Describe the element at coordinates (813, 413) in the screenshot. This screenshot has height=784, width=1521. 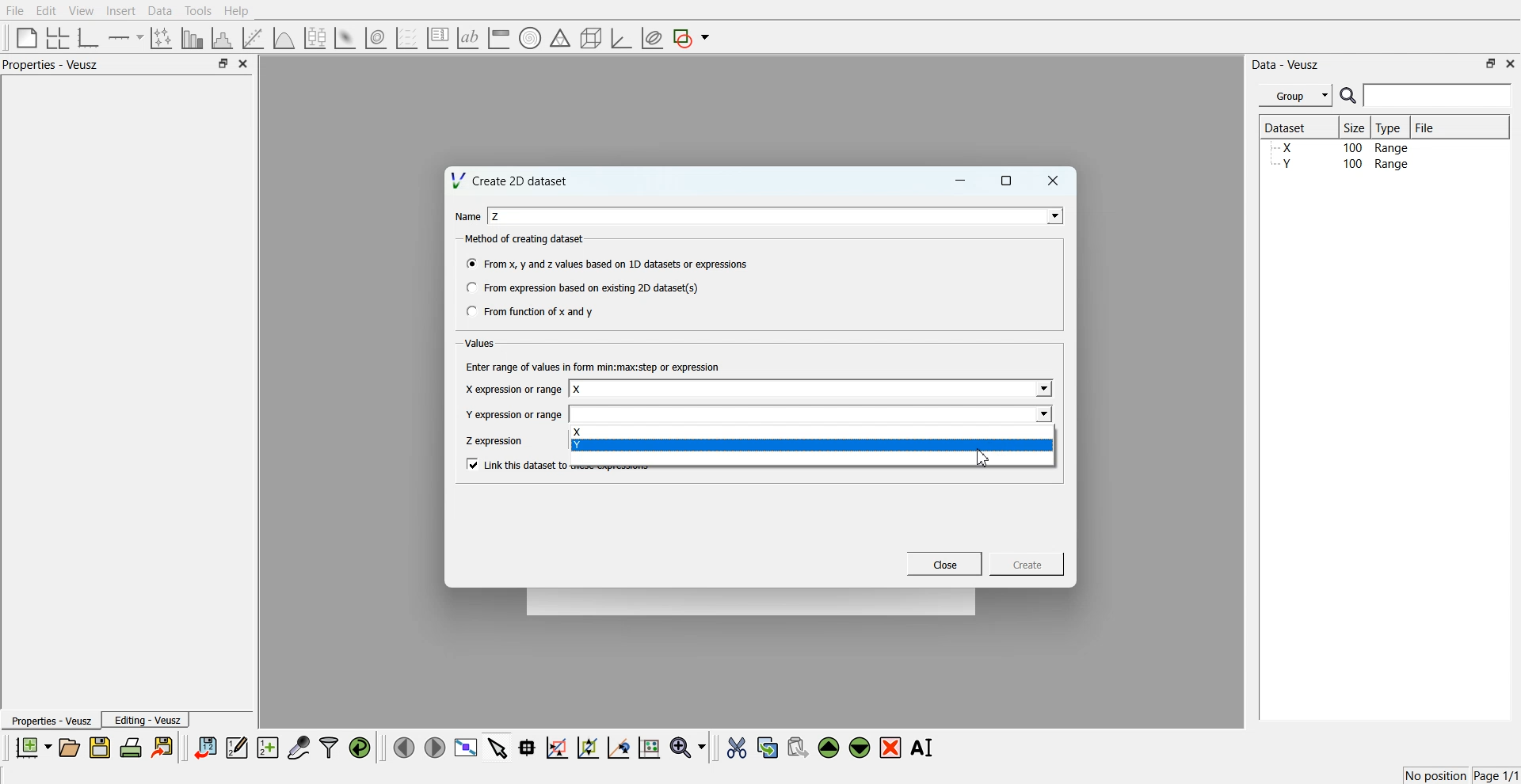
I see `Enter name` at that location.